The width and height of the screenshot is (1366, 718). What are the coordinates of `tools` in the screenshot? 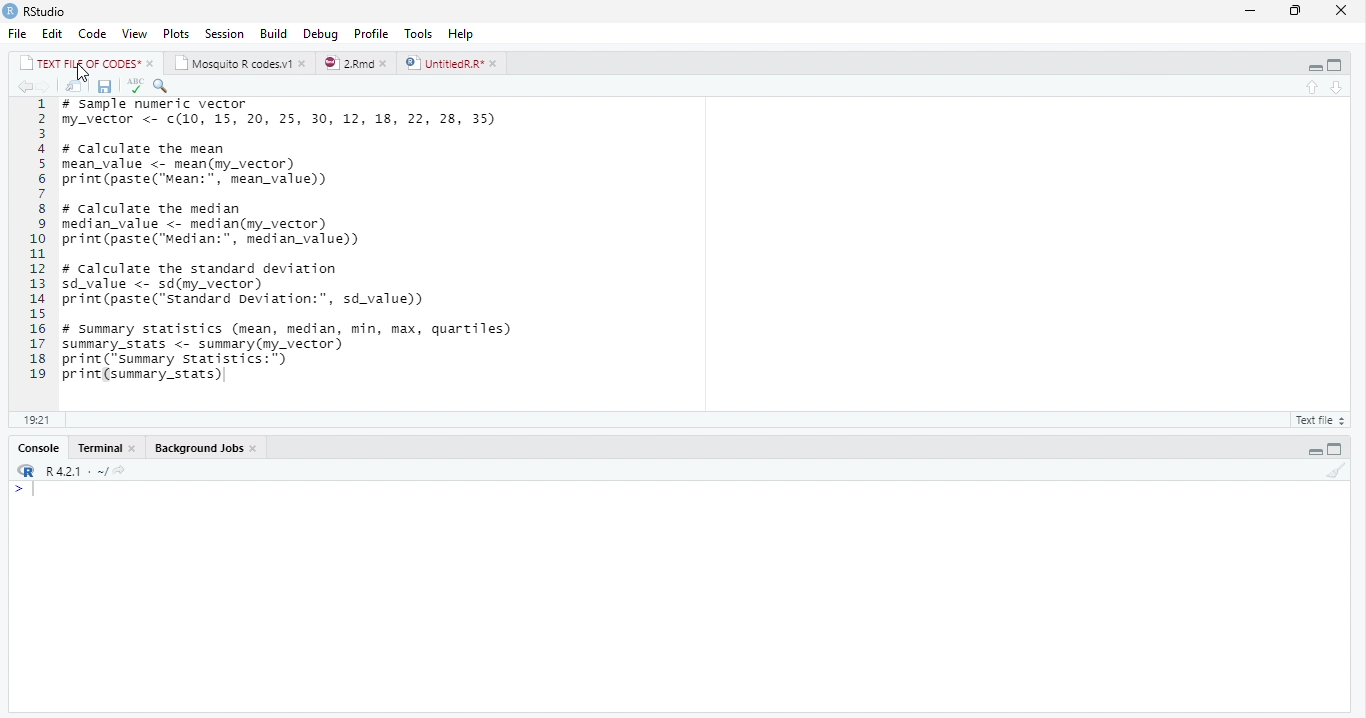 It's located at (420, 34).